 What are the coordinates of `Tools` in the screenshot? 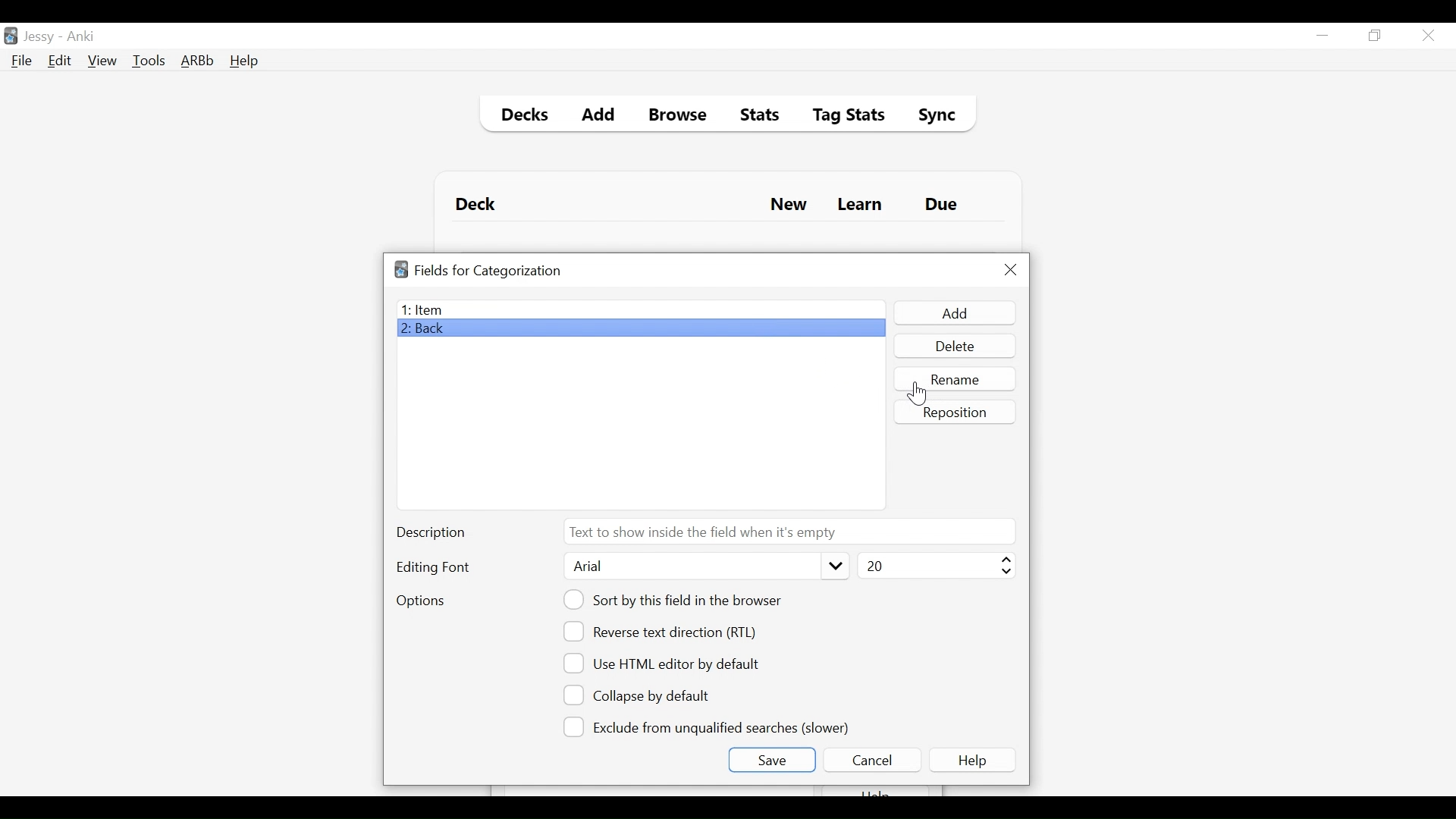 It's located at (149, 60).